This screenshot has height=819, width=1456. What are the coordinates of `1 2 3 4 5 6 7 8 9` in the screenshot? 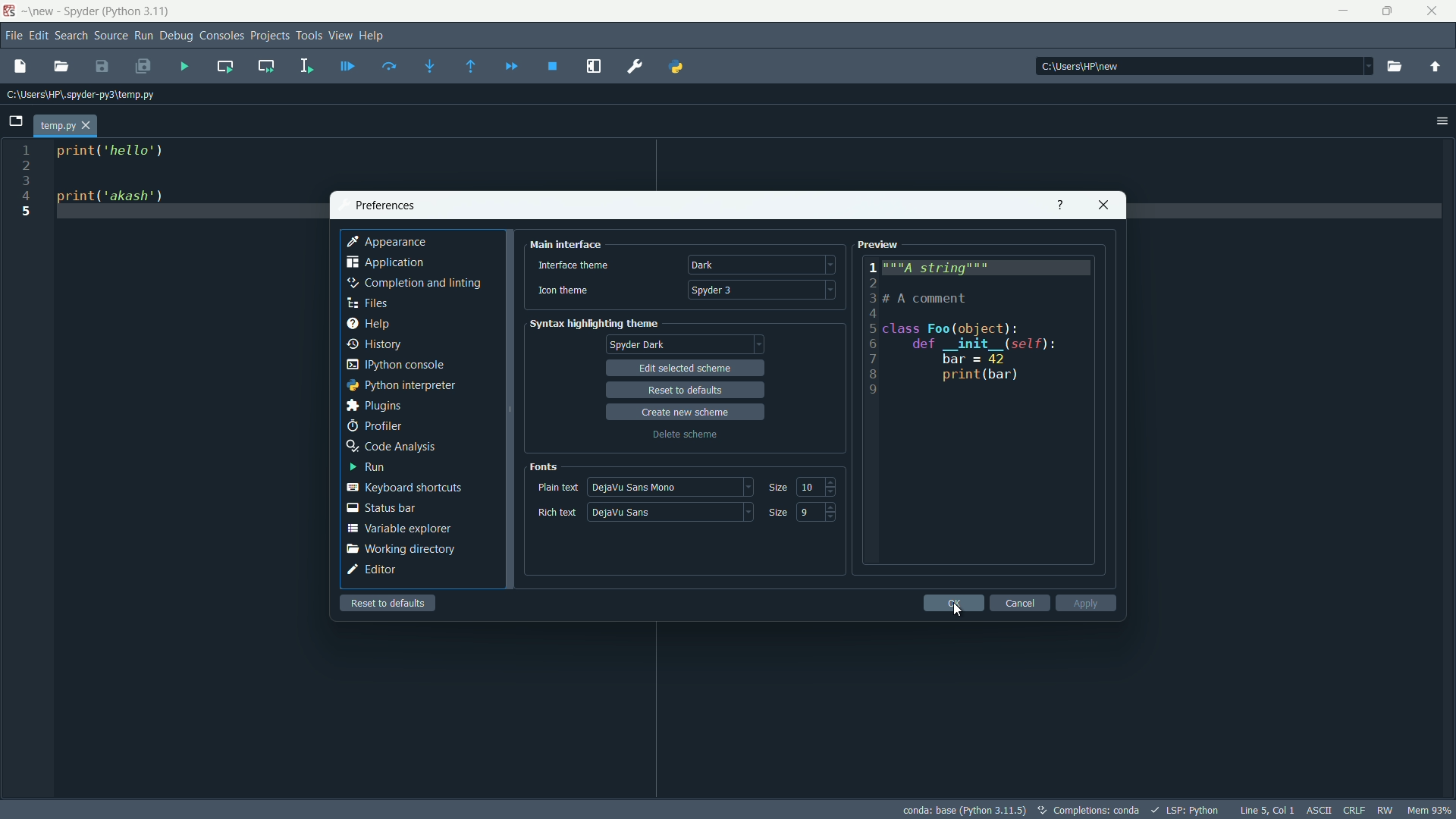 It's located at (871, 329).